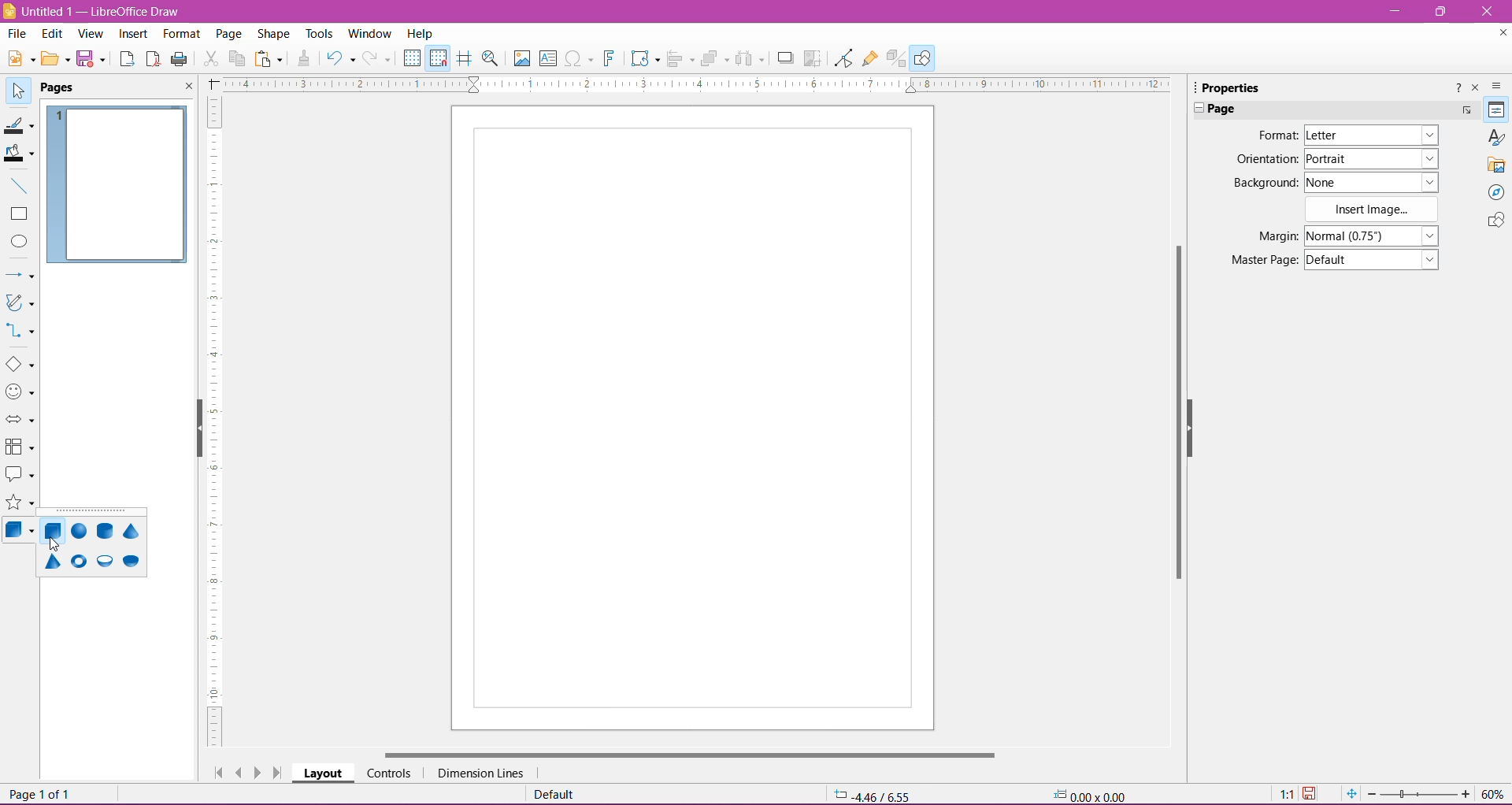 This screenshot has width=1512, height=805. I want to click on Hide, so click(196, 429).